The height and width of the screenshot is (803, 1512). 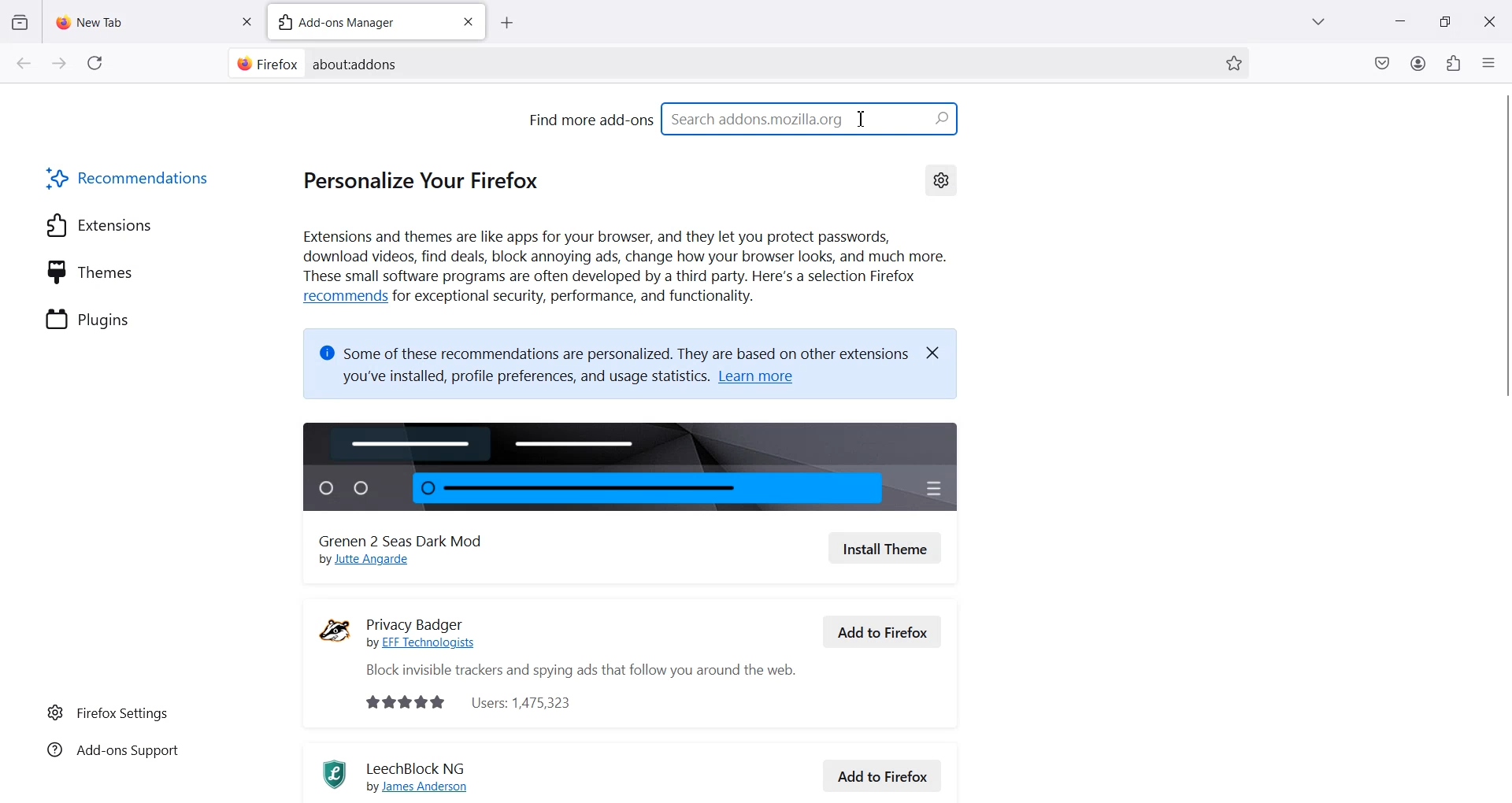 I want to click on Go forward to one page, so click(x=58, y=62).